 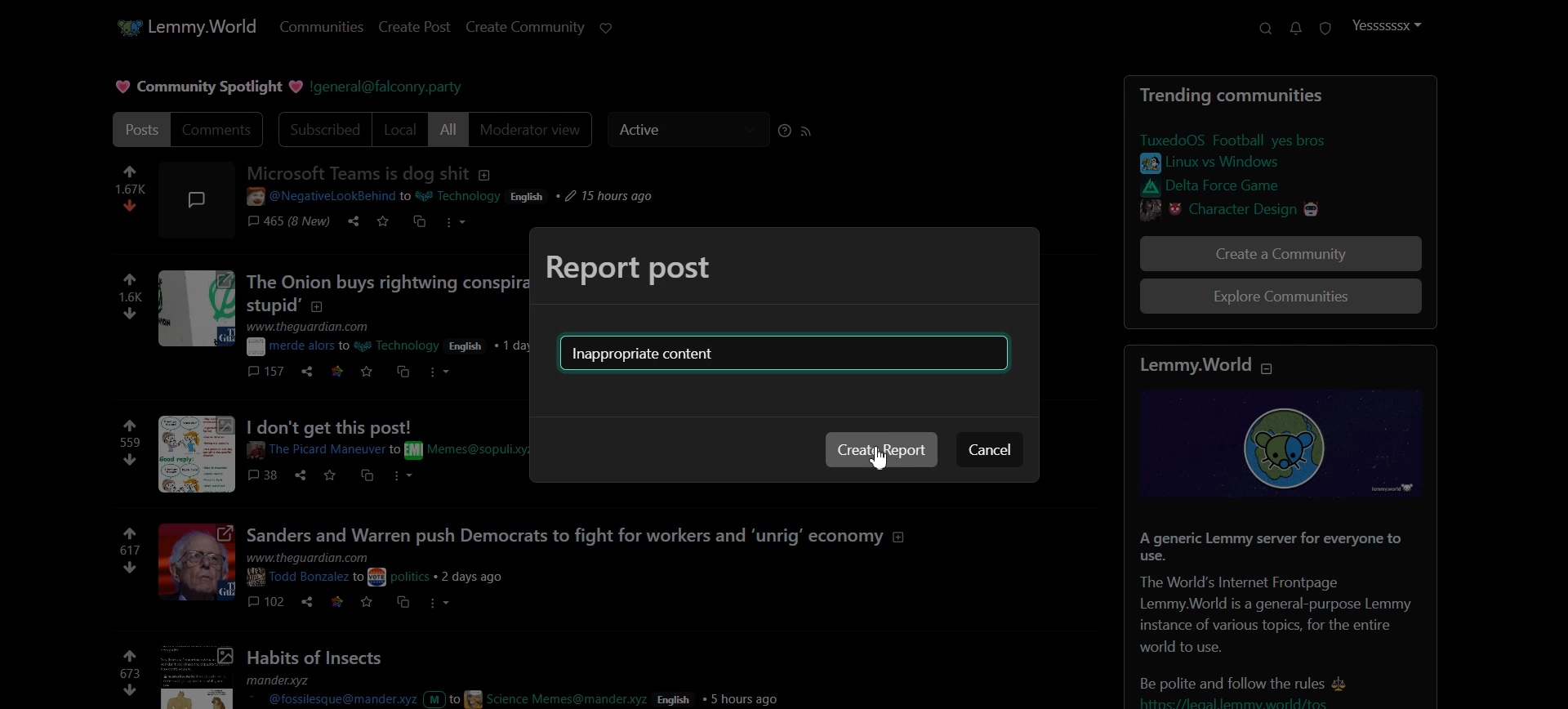 I want to click on image, so click(x=194, y=198).